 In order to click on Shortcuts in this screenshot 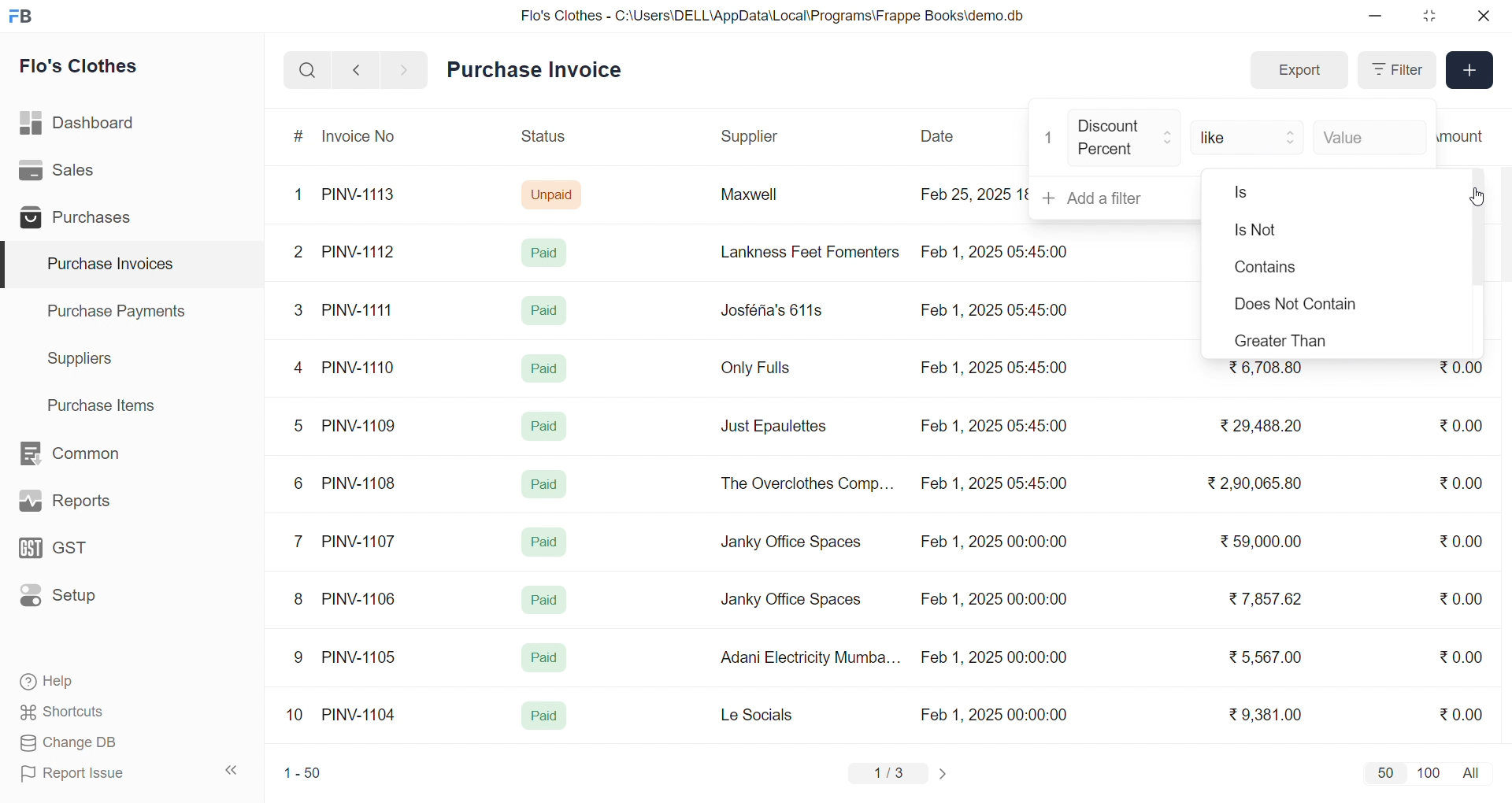, I will do `click(99, 712)`.